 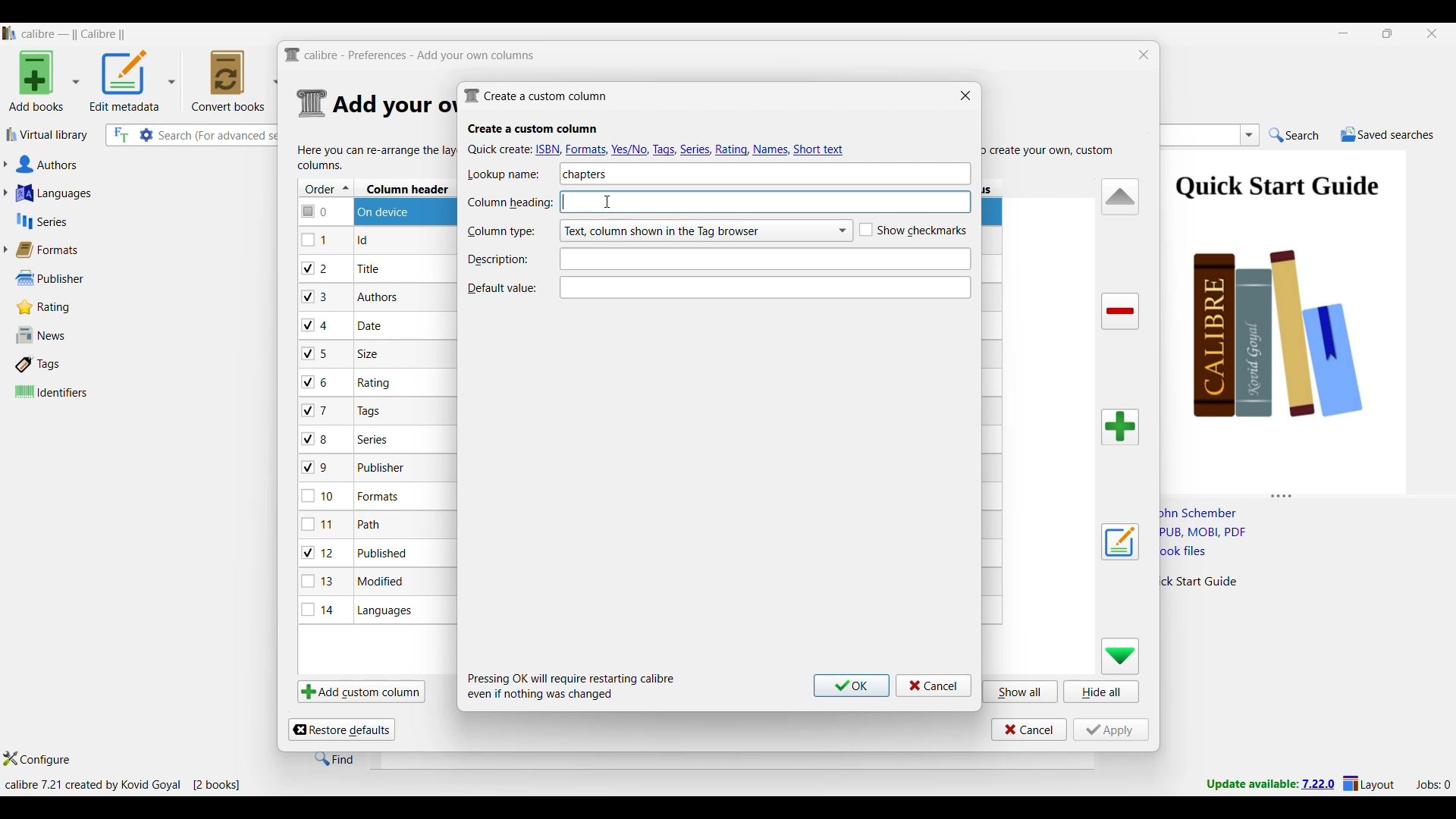 What do you see at coordinates (122, 785) in the screenshot?
I see `Current details of software` at bounding box center [122, 785].